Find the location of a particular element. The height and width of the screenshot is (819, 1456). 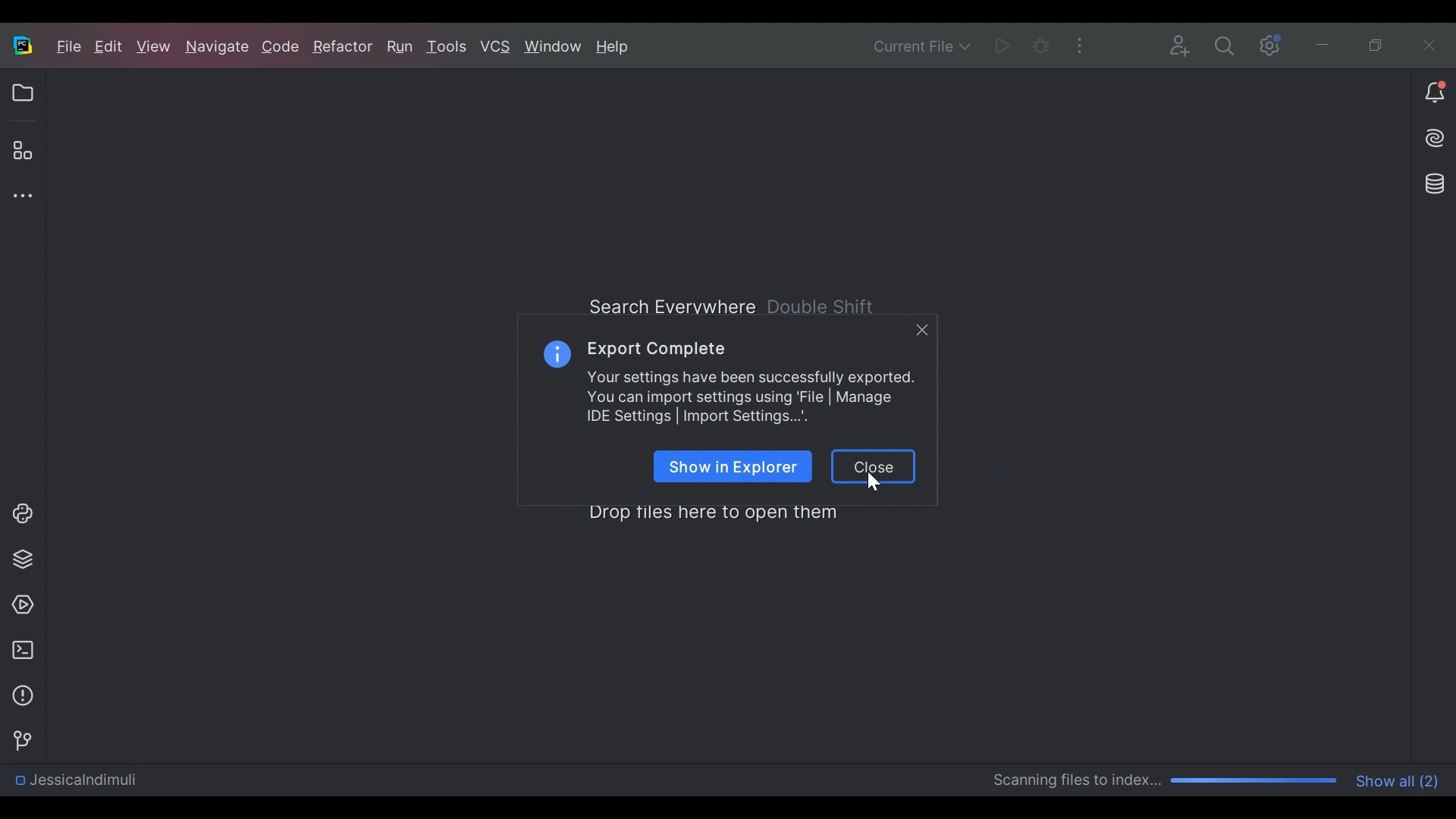

Terminal is located at coordinates (19, 650).